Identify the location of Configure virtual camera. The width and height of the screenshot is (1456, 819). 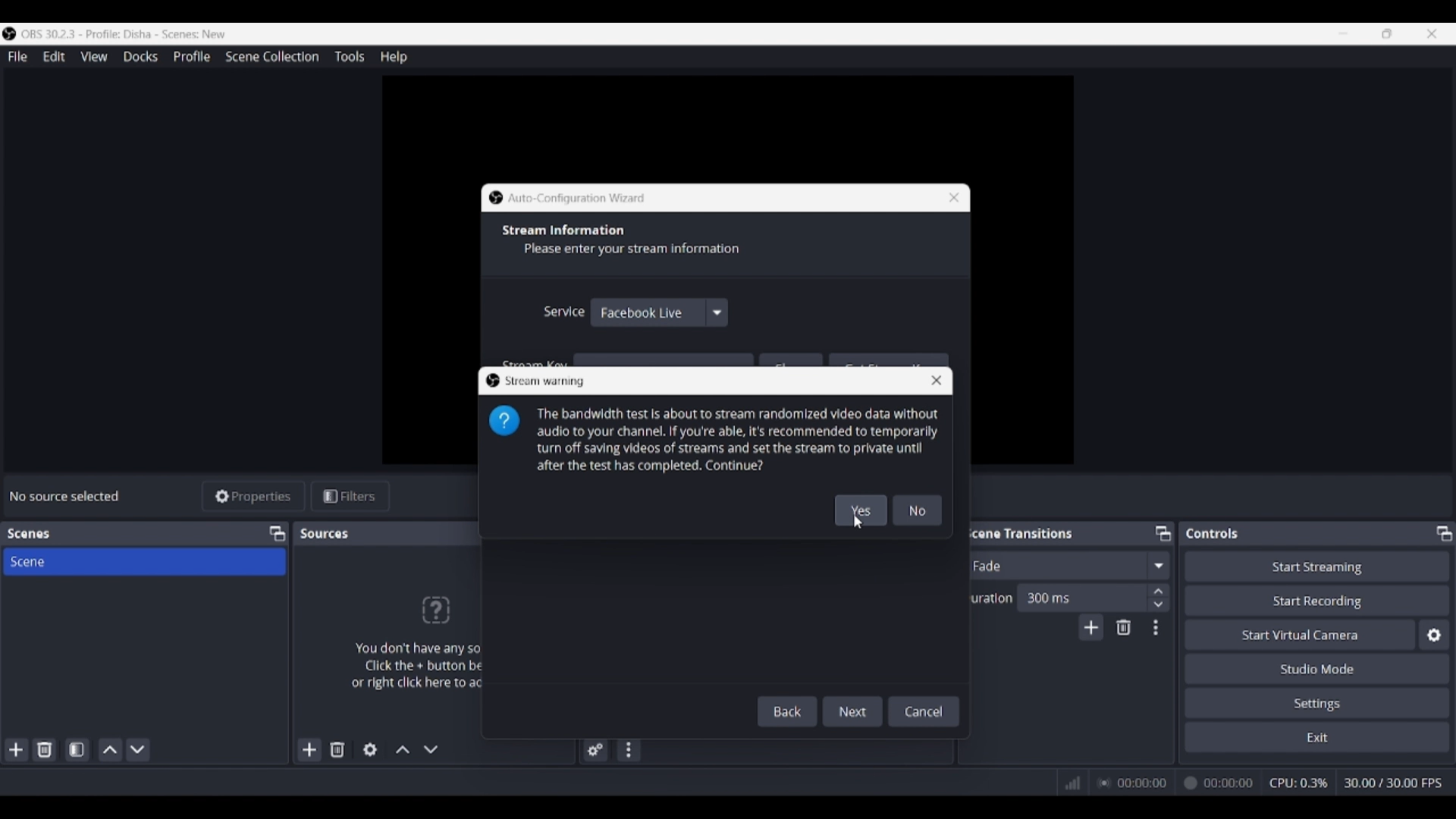
(1434, 635).